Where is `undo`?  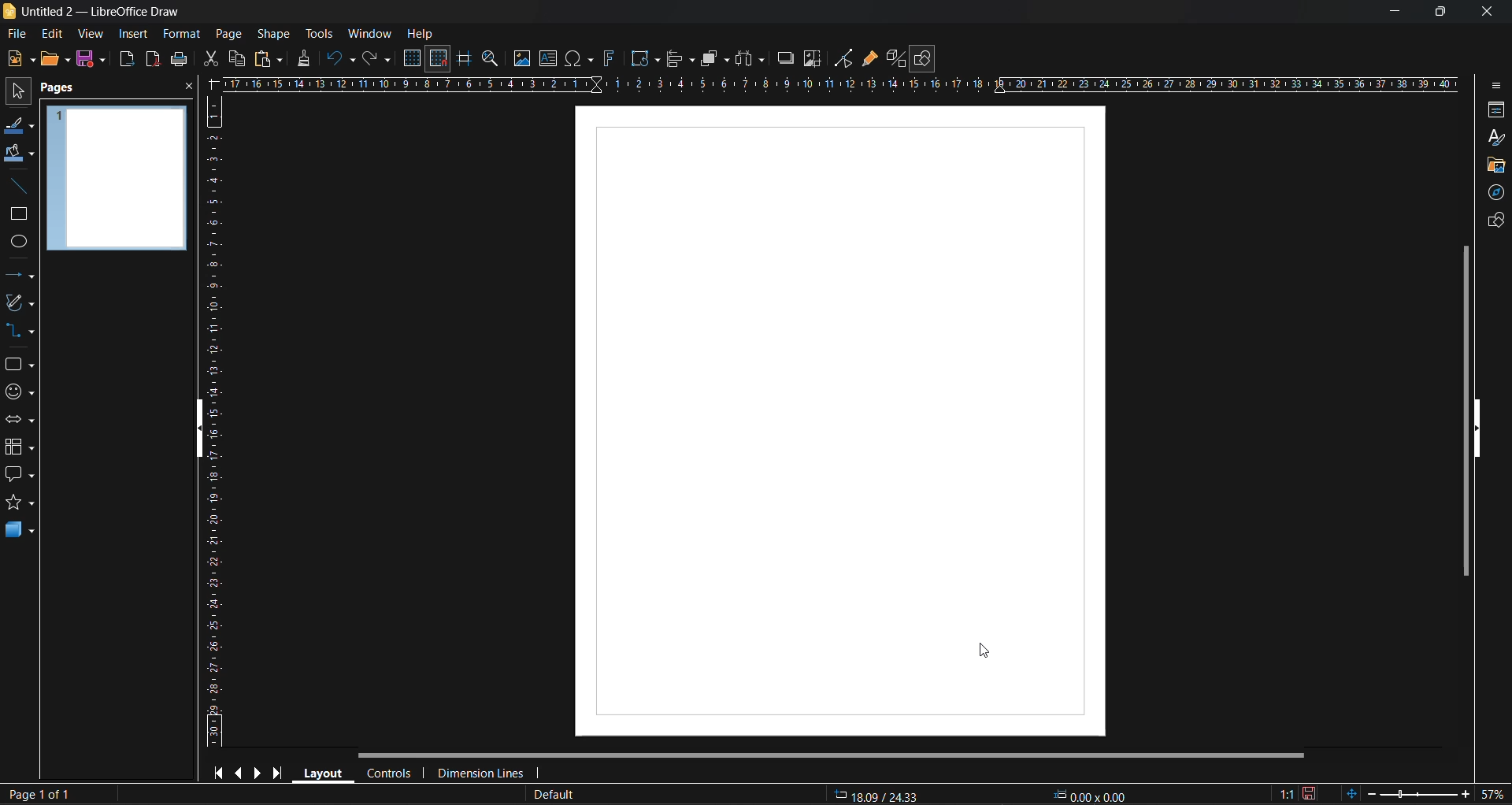
undo is located at coordinates (343, 61).